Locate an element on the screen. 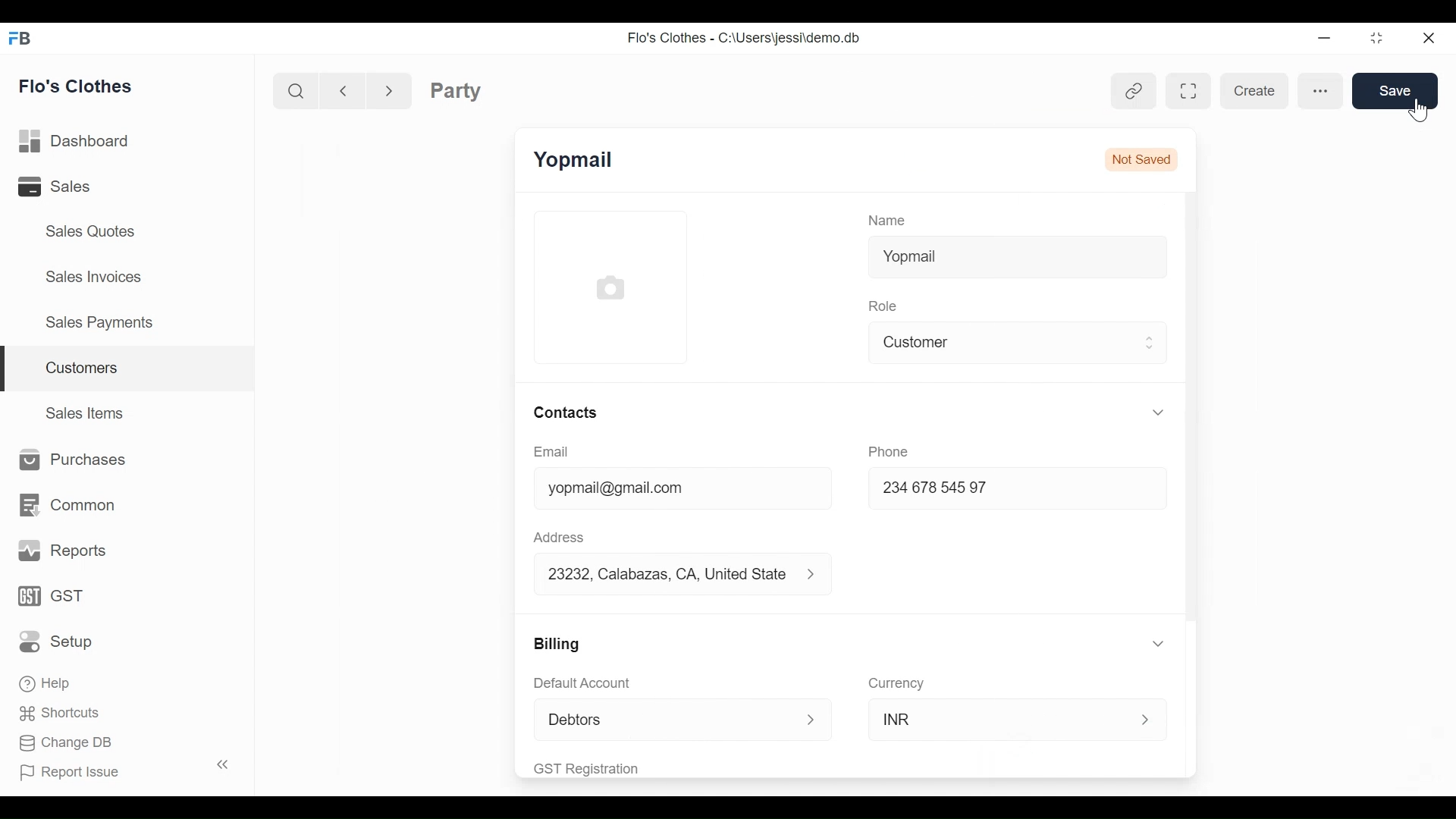  Phone is located at coordinates (889, 450).